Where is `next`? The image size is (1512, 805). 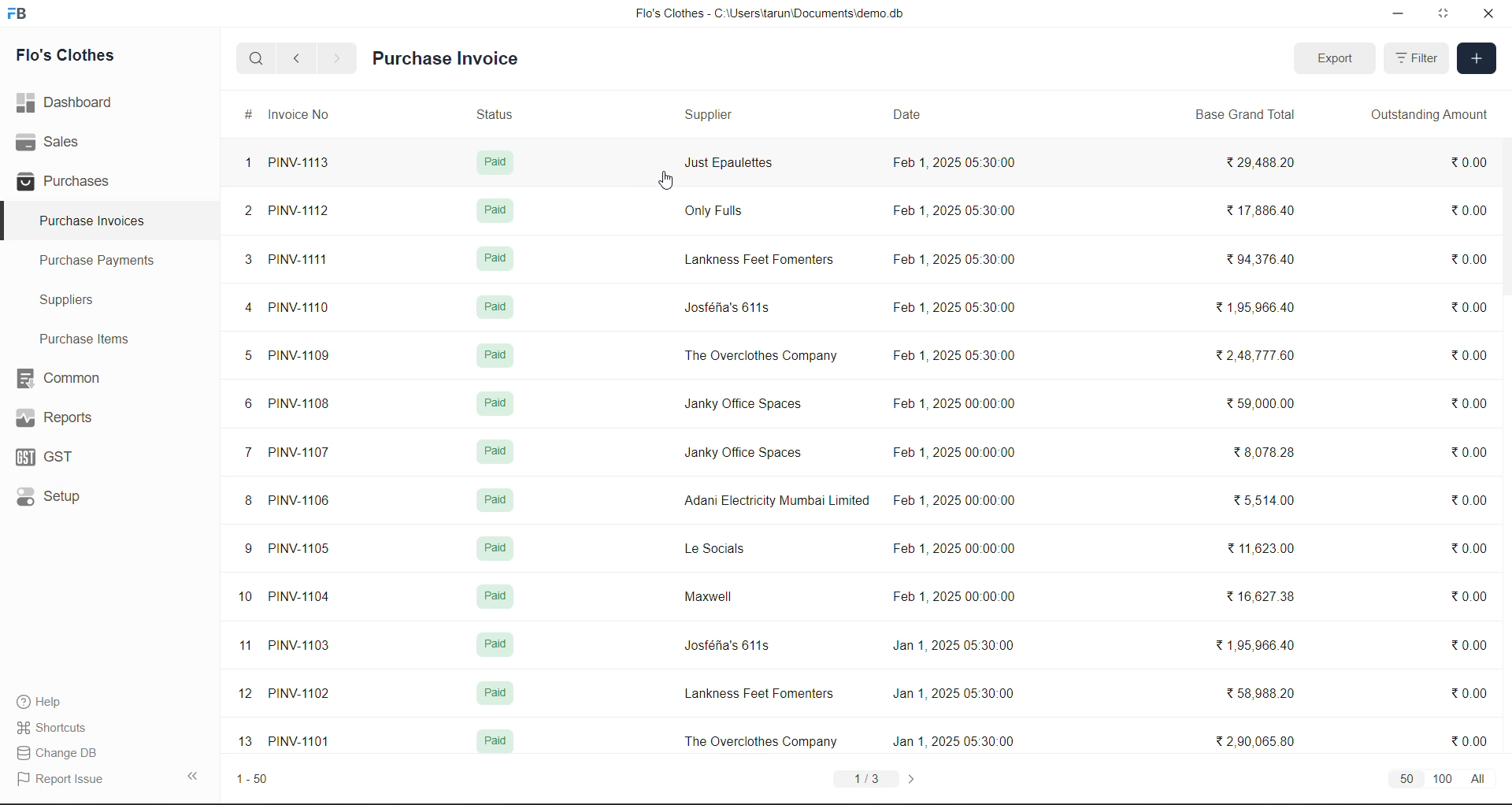 next is located at coordinates (336, 58).